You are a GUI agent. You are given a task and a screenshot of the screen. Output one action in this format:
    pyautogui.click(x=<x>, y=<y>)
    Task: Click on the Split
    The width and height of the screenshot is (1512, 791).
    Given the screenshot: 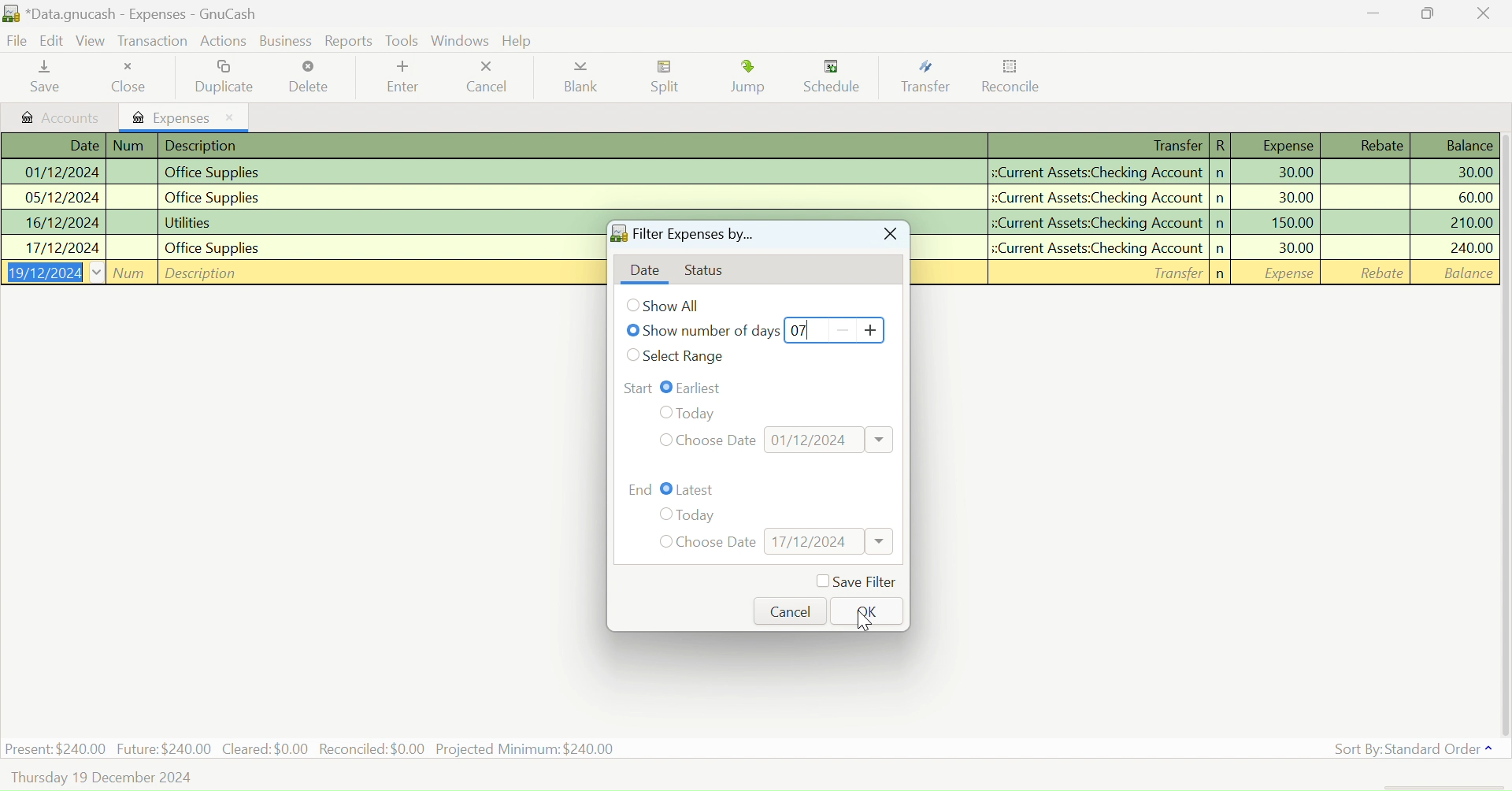 What is the action you would take?
    pyautogui.click(x=669, y=79)
    